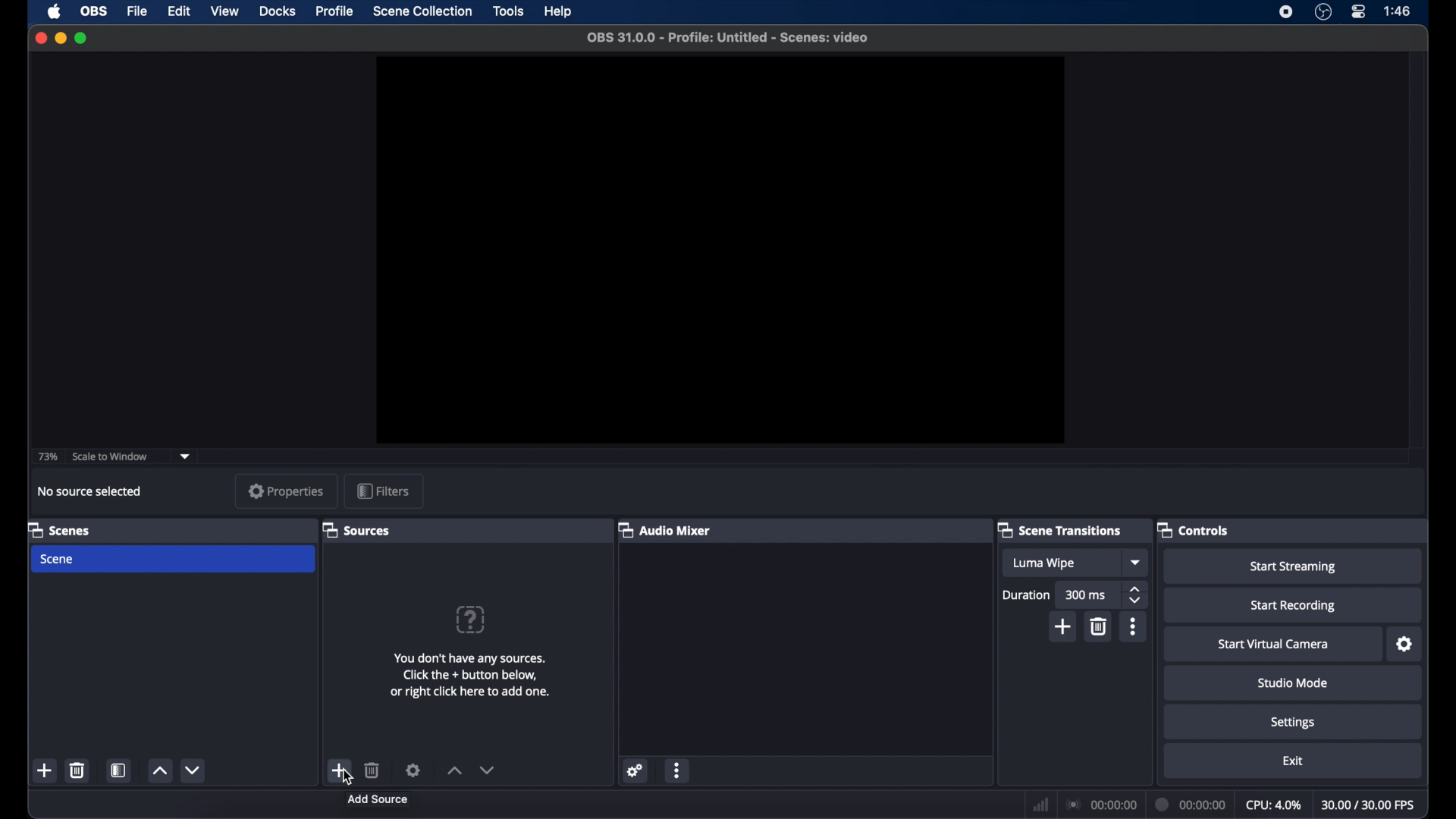 The image size is (1456, 819). Describe the element at coordinates (1137, 562) in the screenshot. I see `dropdown` at that location.